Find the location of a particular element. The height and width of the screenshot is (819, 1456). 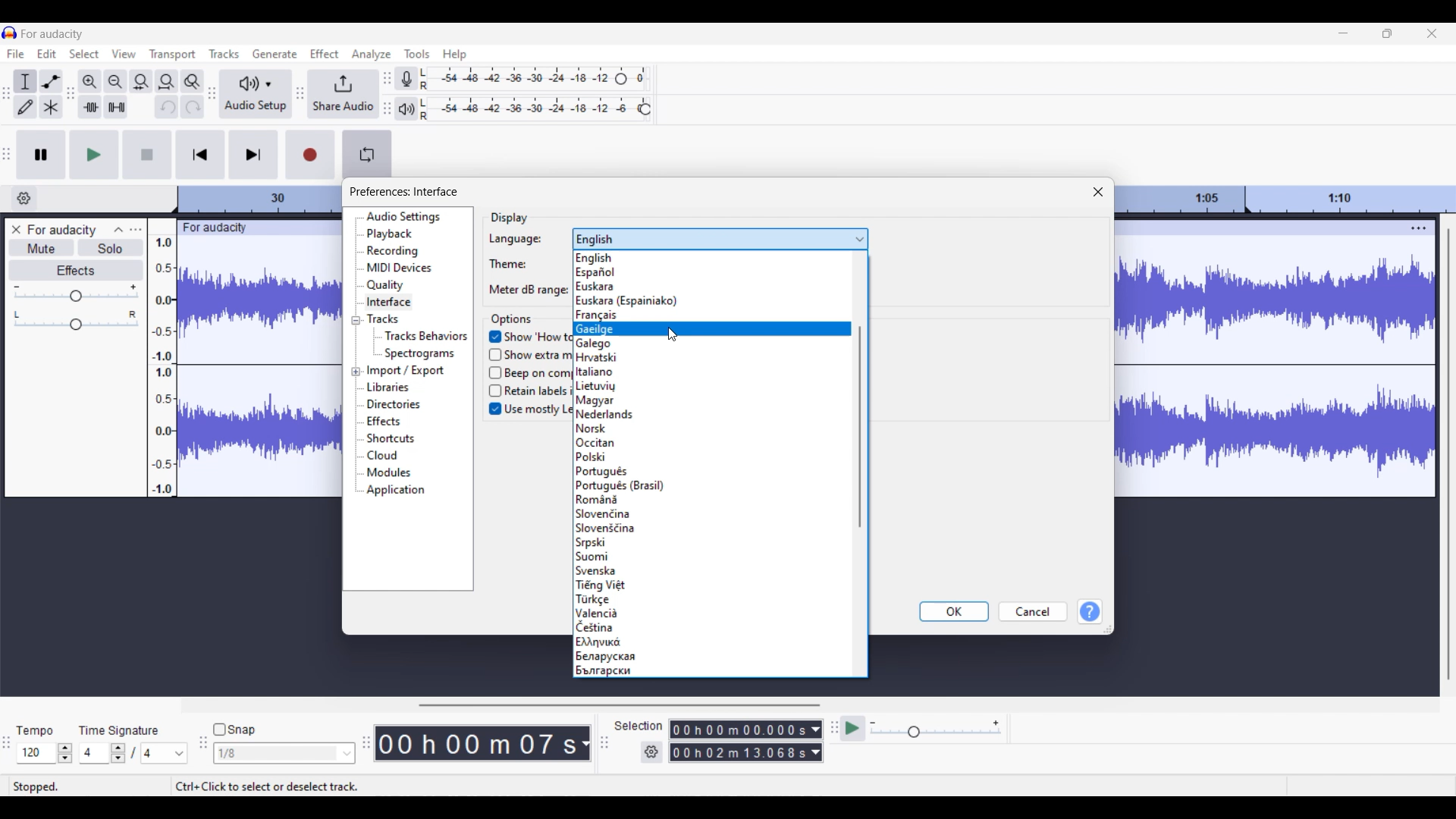

Time signature settings is located at coordinates (134, 753).